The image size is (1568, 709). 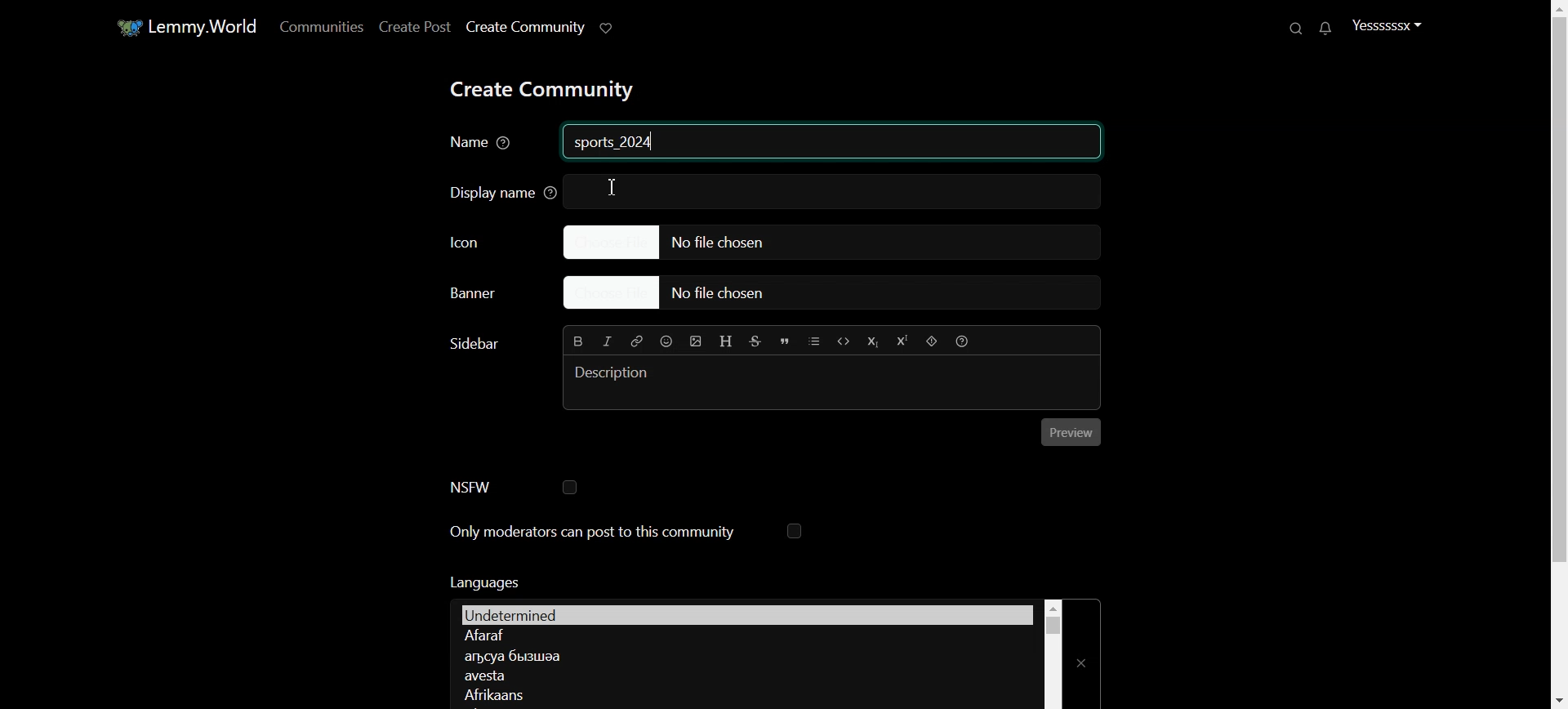 I want to click on Choose file, so click(x=831, y=241).